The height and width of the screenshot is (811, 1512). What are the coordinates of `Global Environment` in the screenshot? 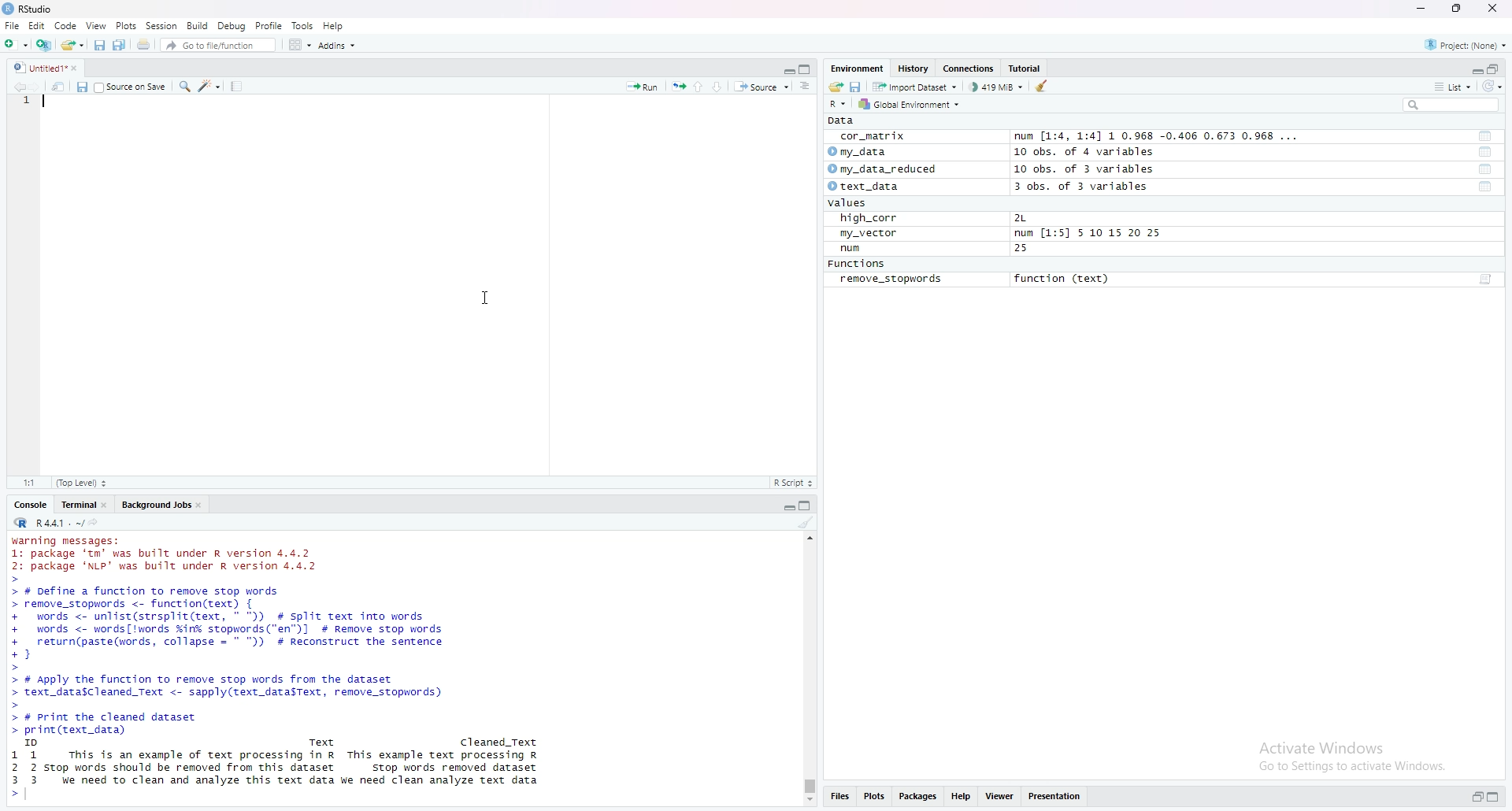 It's located at (913, 104).